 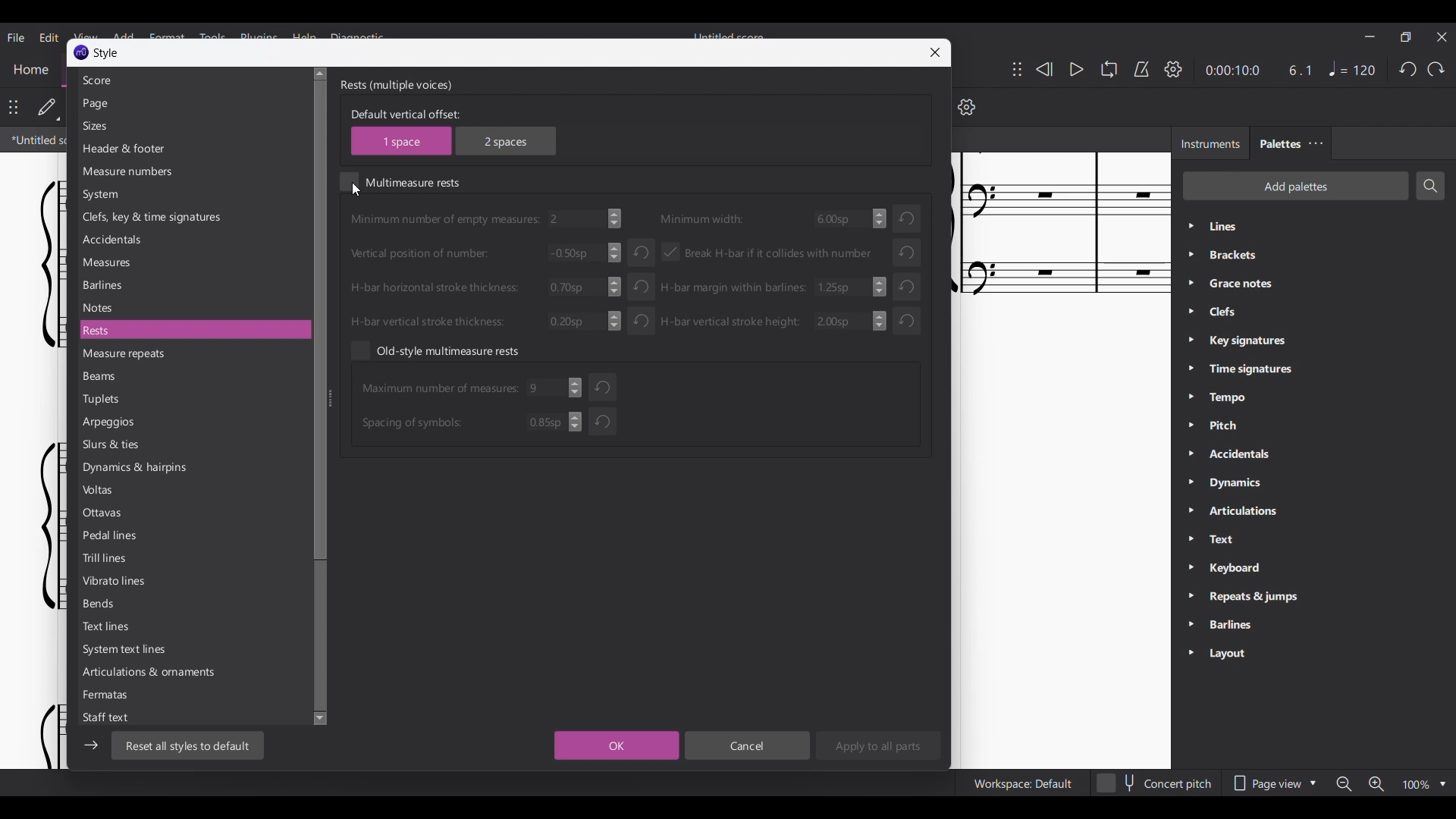 What do you see at coordinates (641, 287) in the screenshot?
I see `Undo respective inputs made` at bounding box center [641, 287].